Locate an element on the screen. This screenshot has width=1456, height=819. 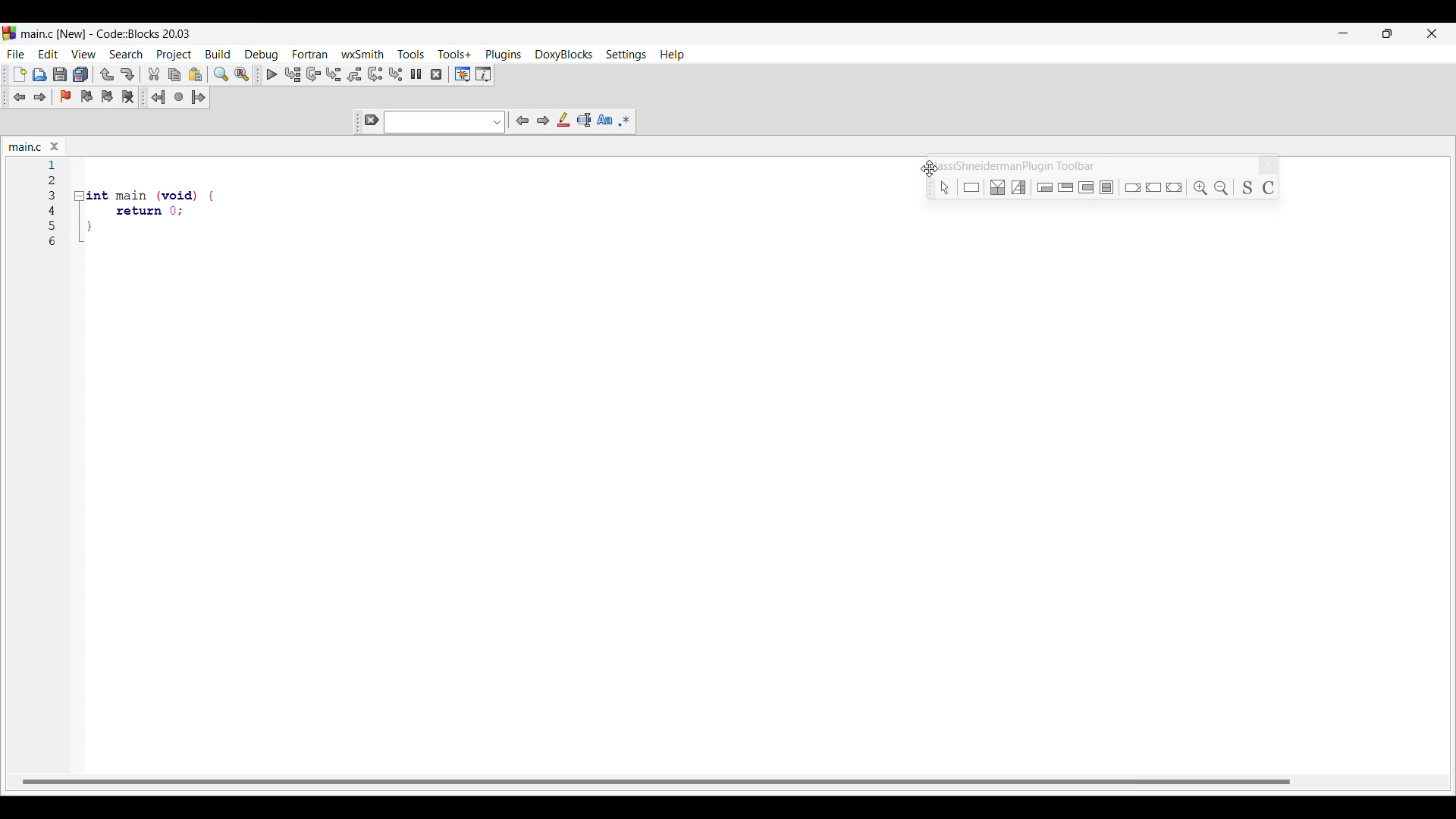
Build menu is located at coordinates (218, 54).